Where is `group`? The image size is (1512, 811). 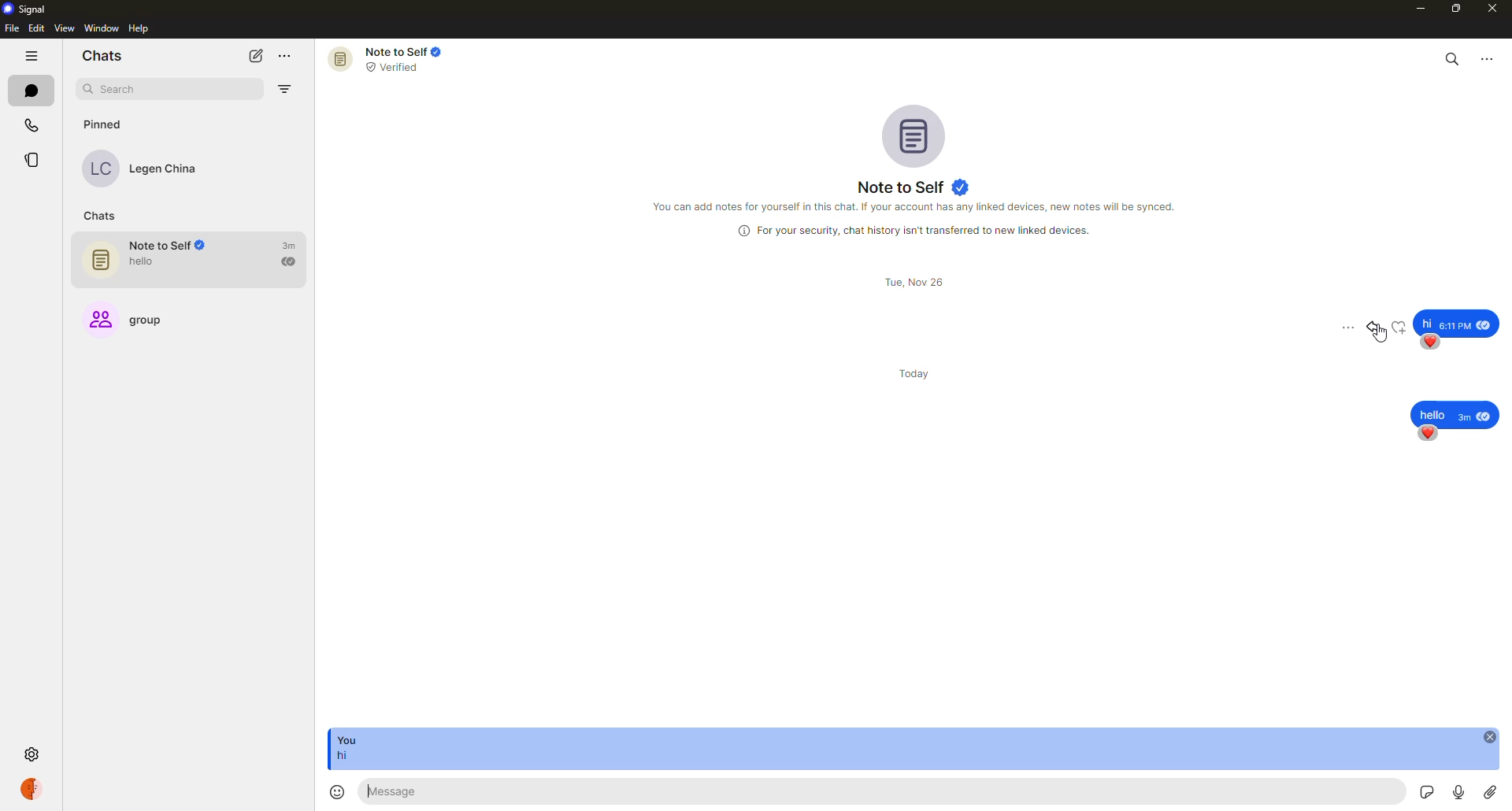
group is located at coordinates (139, 320).